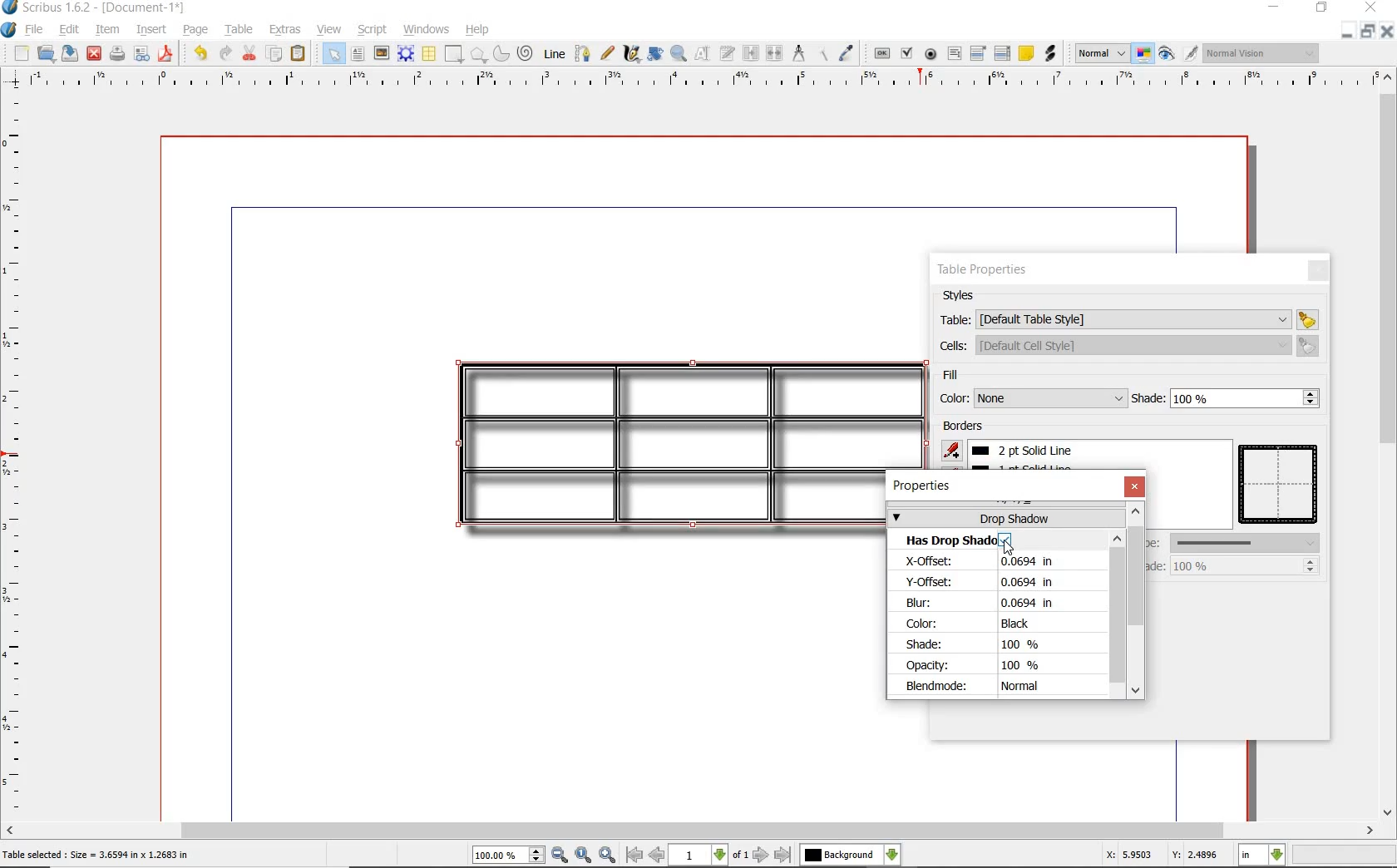  Describe the element at coordinates (762, 854) in the screenshot. I see `go to next page` at that location.